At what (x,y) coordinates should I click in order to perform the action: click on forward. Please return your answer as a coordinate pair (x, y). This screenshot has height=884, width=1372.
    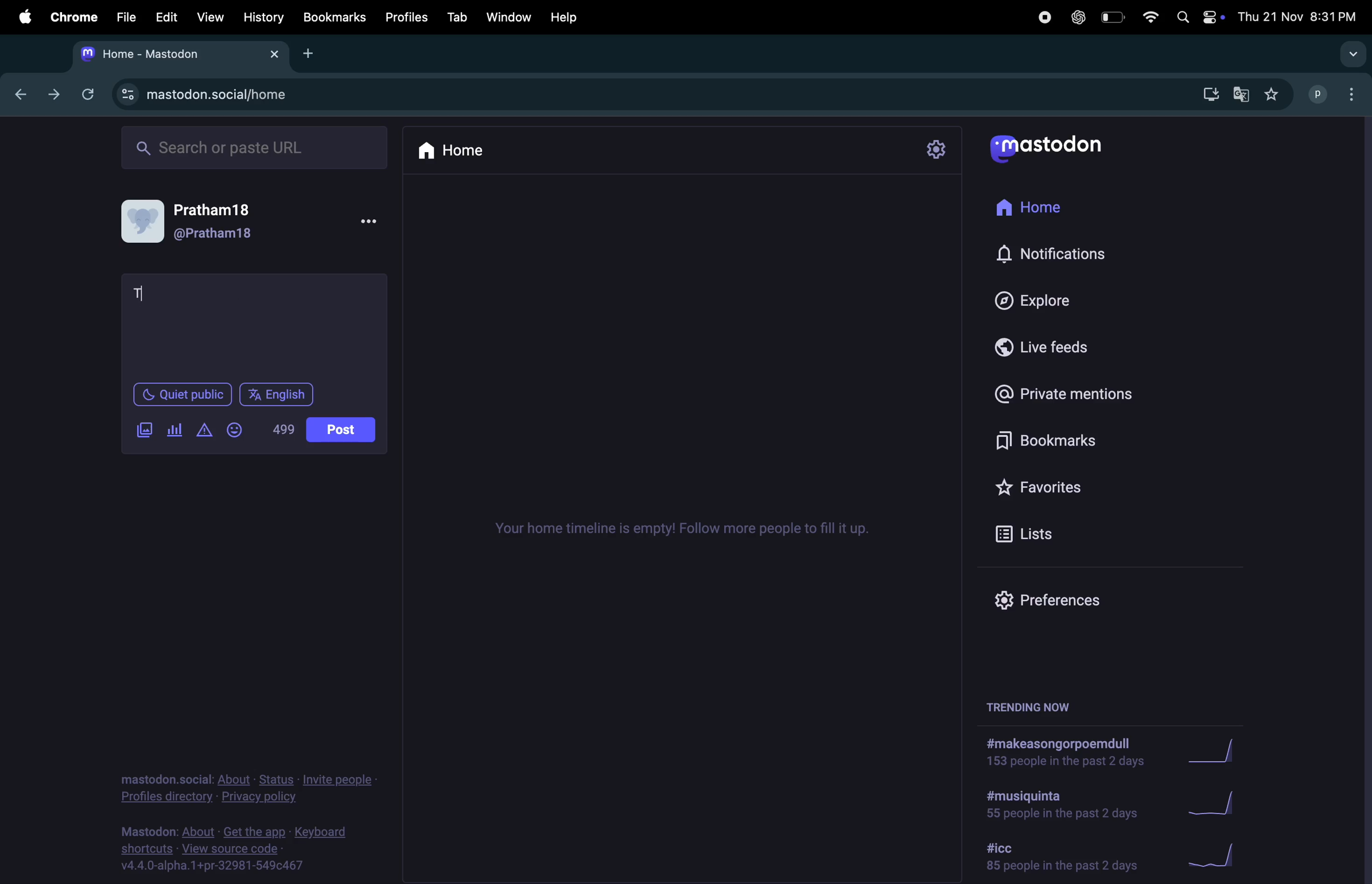
    Looking at the image, I should click on (48, 96).